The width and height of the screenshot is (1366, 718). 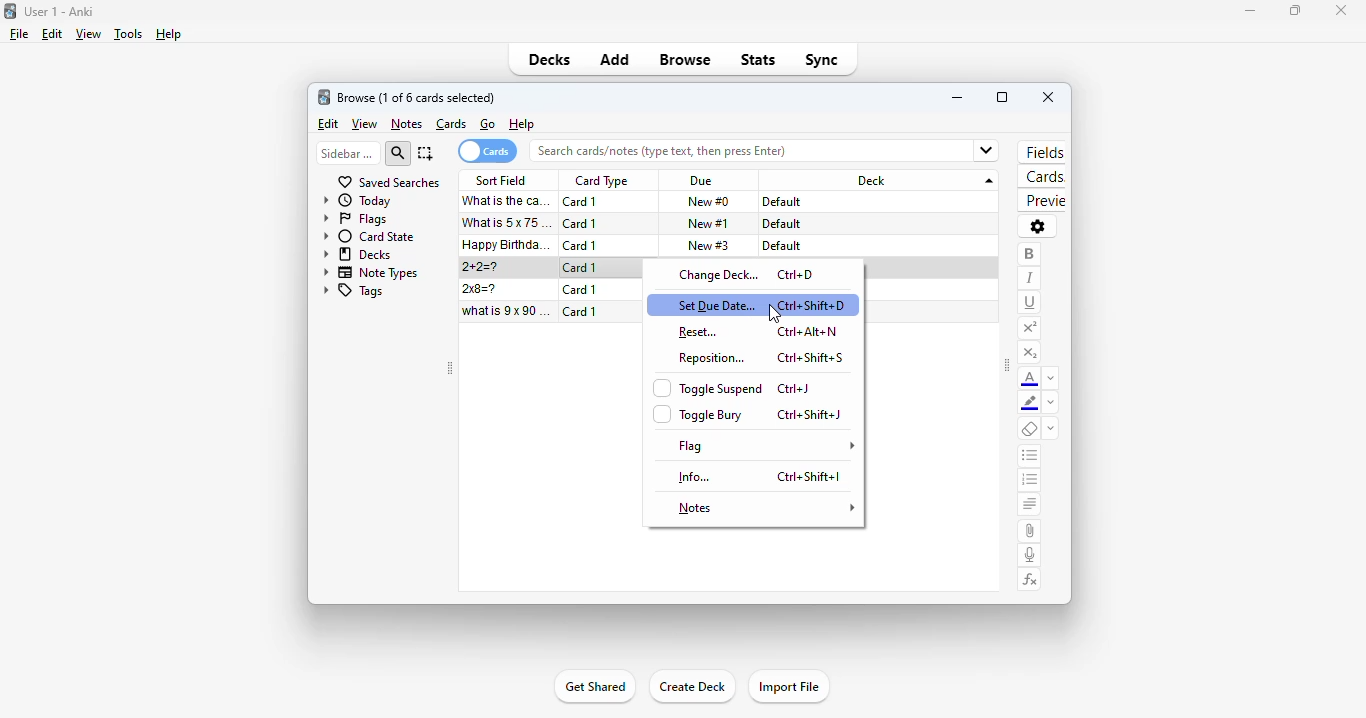 What do you see at coordinates (1037, 226) in the screenshot?
I see `options` at bounding box center [1037, 226].